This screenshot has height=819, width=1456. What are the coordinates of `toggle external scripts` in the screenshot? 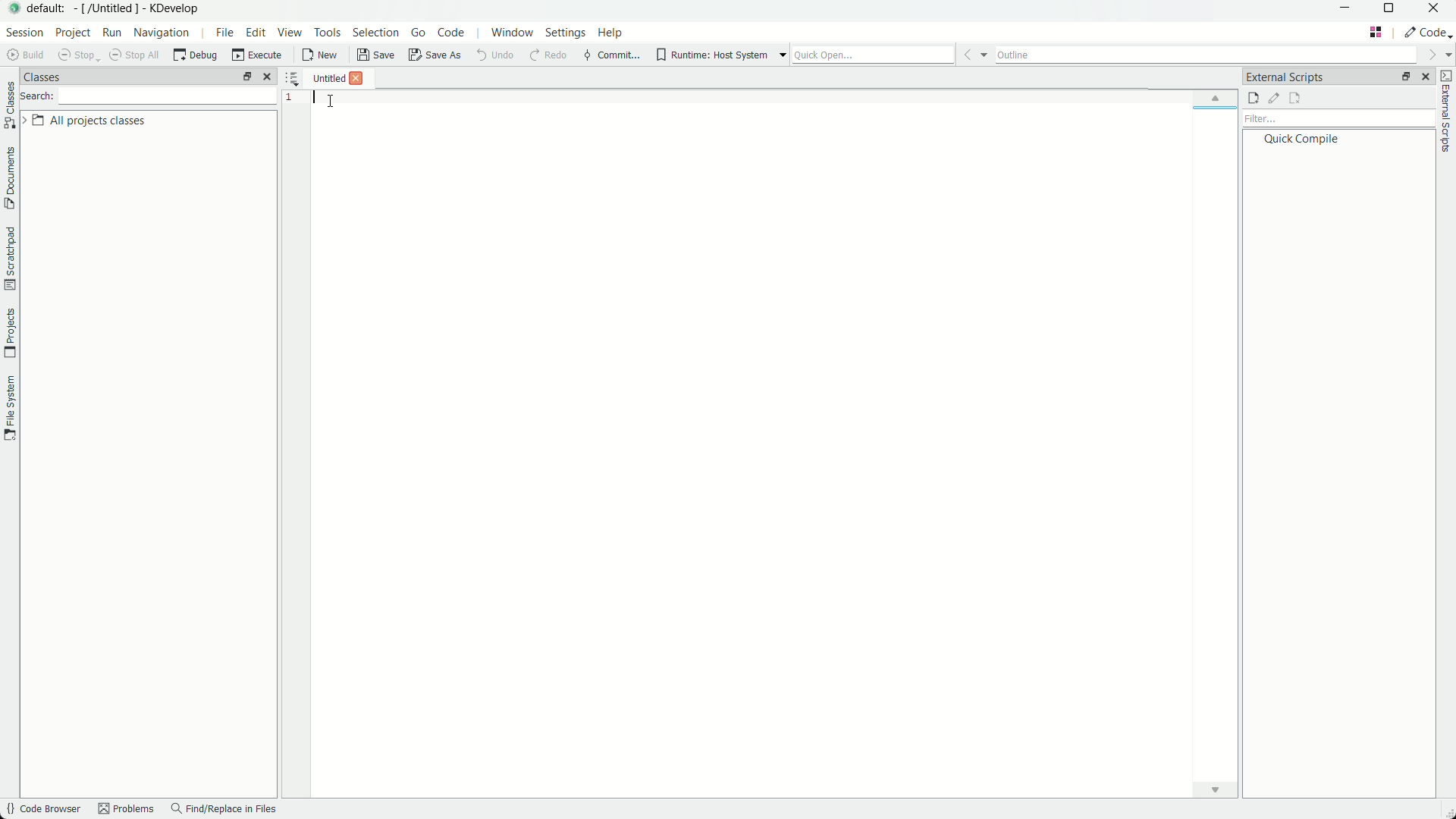 It's located at (1447, 114).